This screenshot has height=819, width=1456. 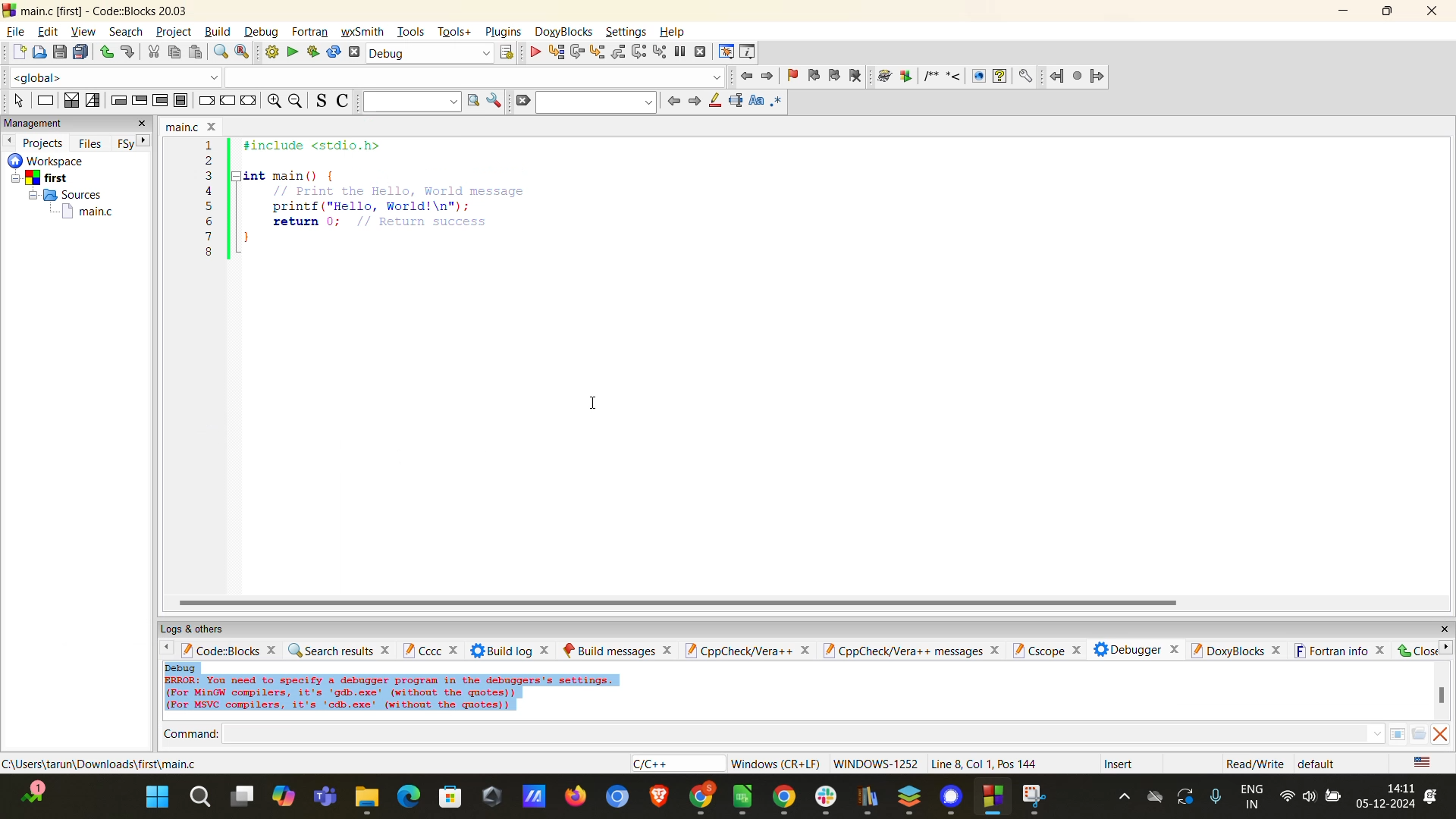 I want to click on build messages, so click(x=619, y=651).